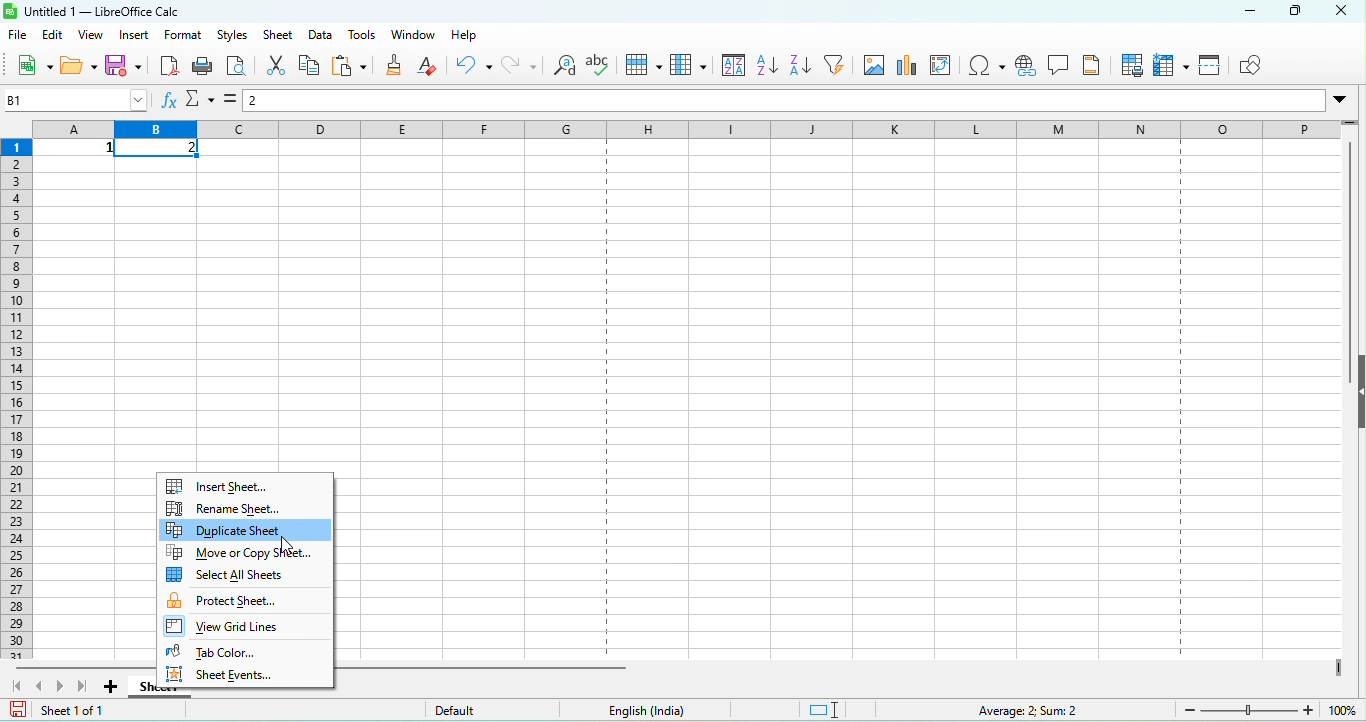 This screenshot has width=1366, height=722. What do you see at coordinates (1272, 710) in the screenshot?
I see `zoom` at bounding box center [1272, 710].